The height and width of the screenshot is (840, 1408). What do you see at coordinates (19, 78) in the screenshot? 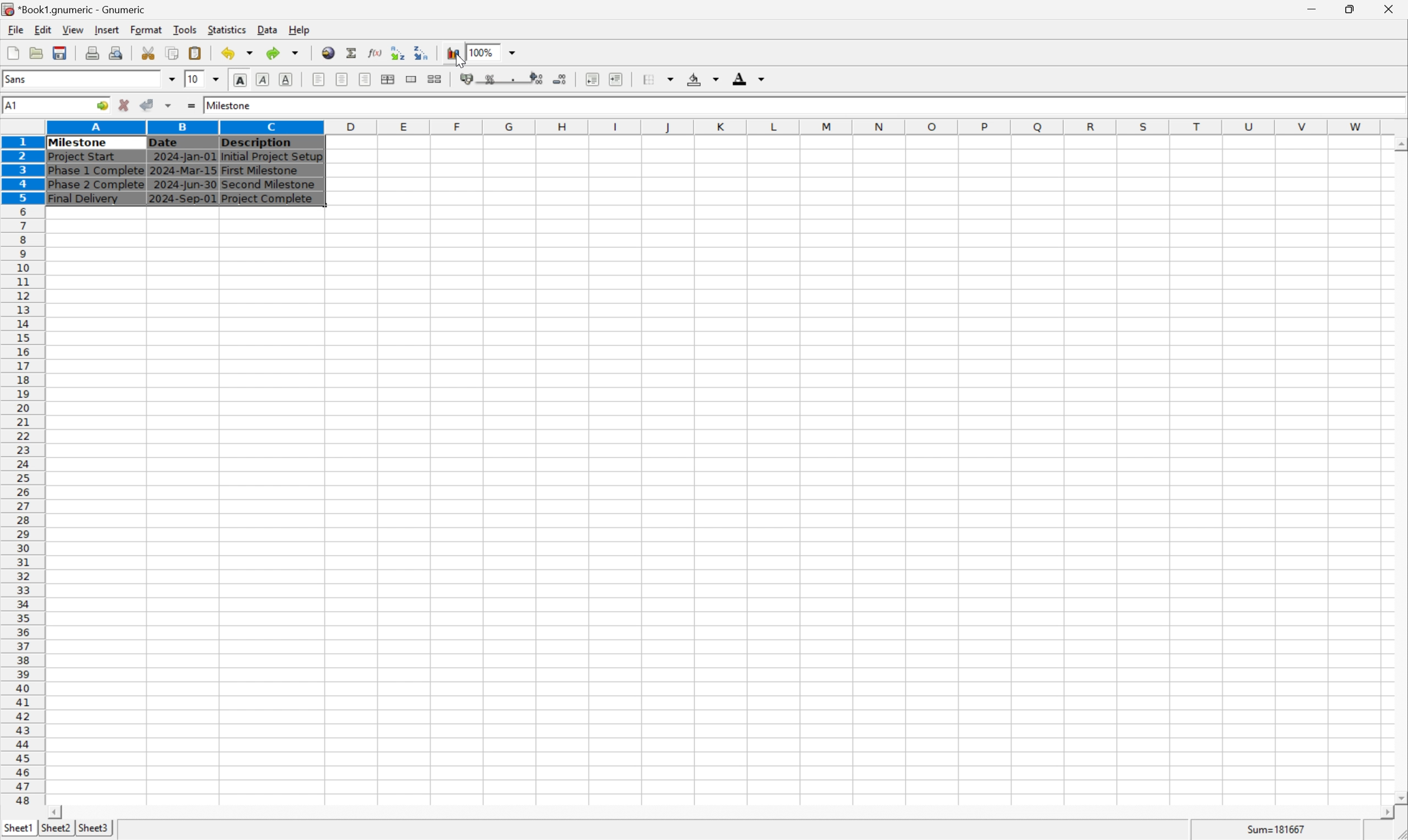
I see `Sans` at bounding box center [19, 78].